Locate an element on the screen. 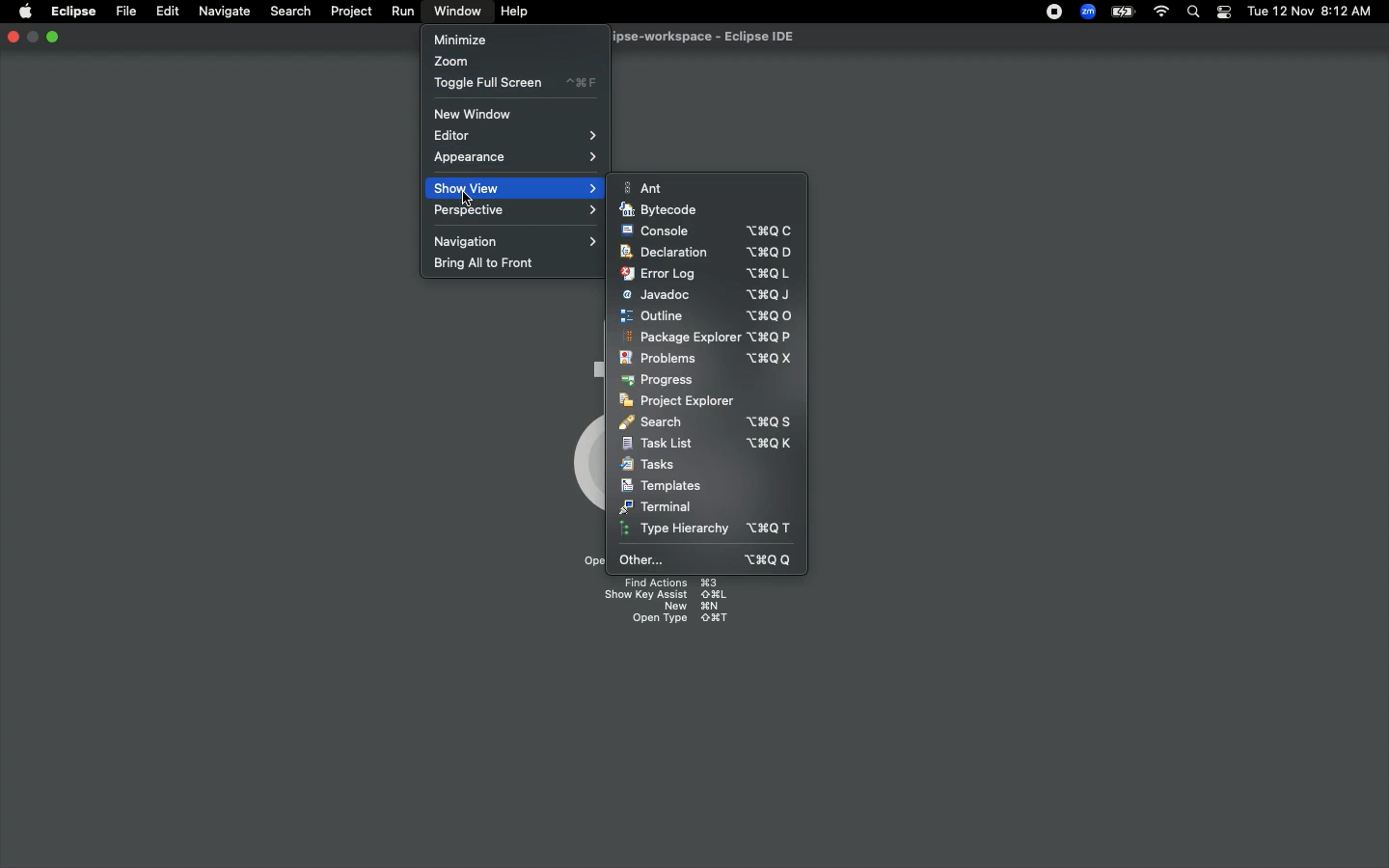 This screenshot has height=868, width=1389. Javadoc is located at coordinates (707, 296).